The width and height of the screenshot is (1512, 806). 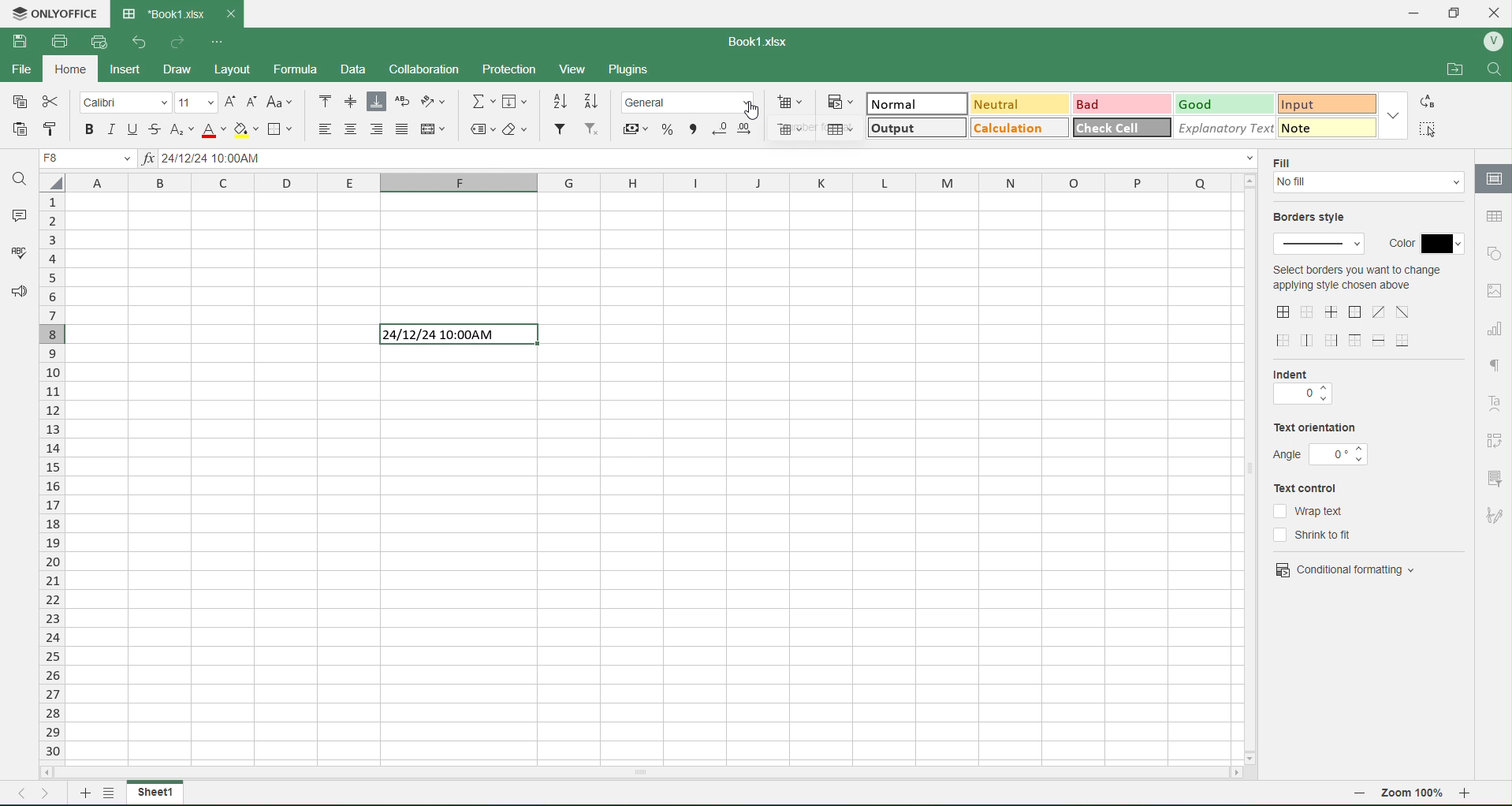 What do you see at coordinates (693, 127) in the screenshot?
I see `Comma Style` at bounding box center [693, 127].